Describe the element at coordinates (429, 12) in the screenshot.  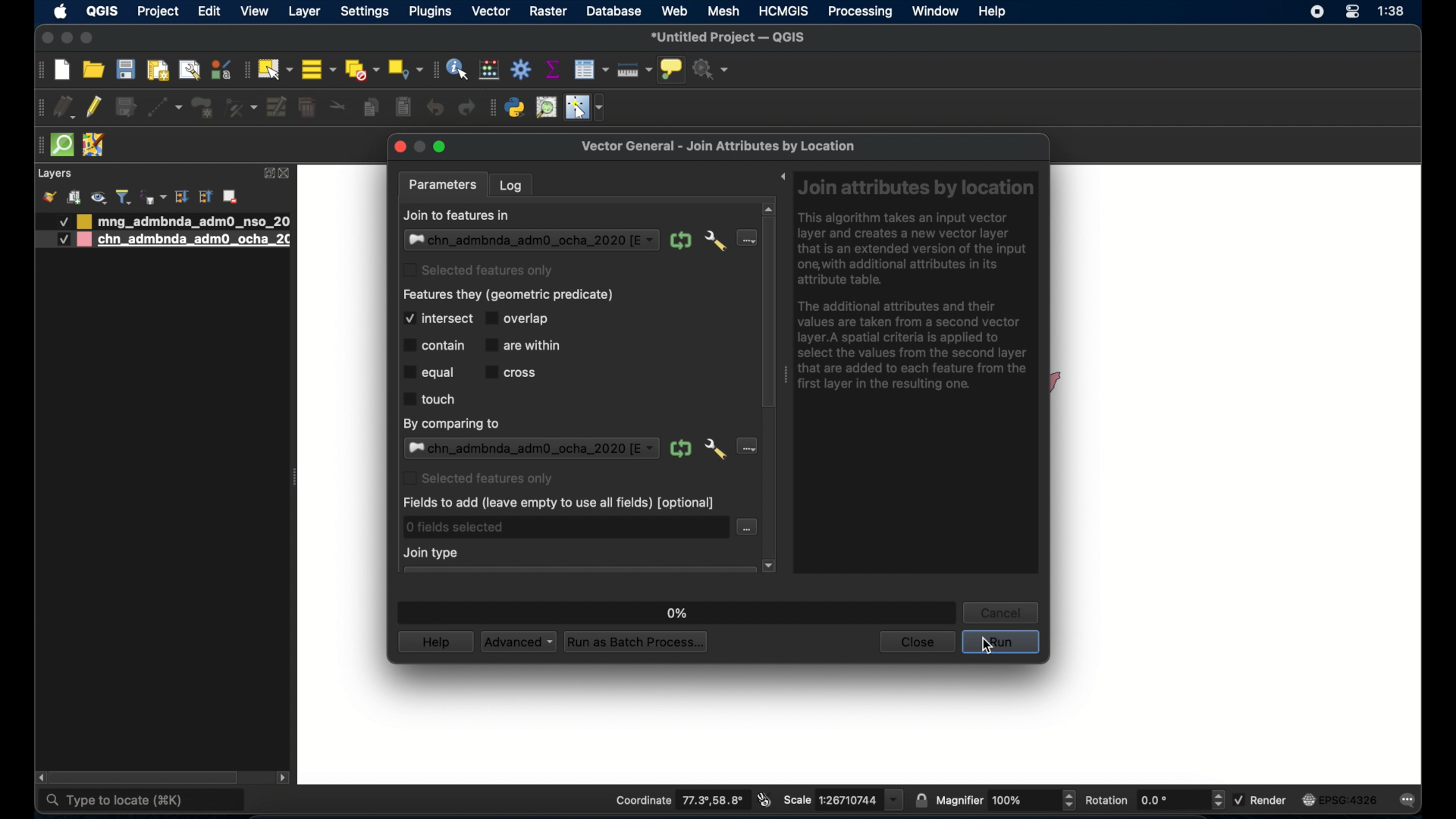
I see `plugins` at that location.